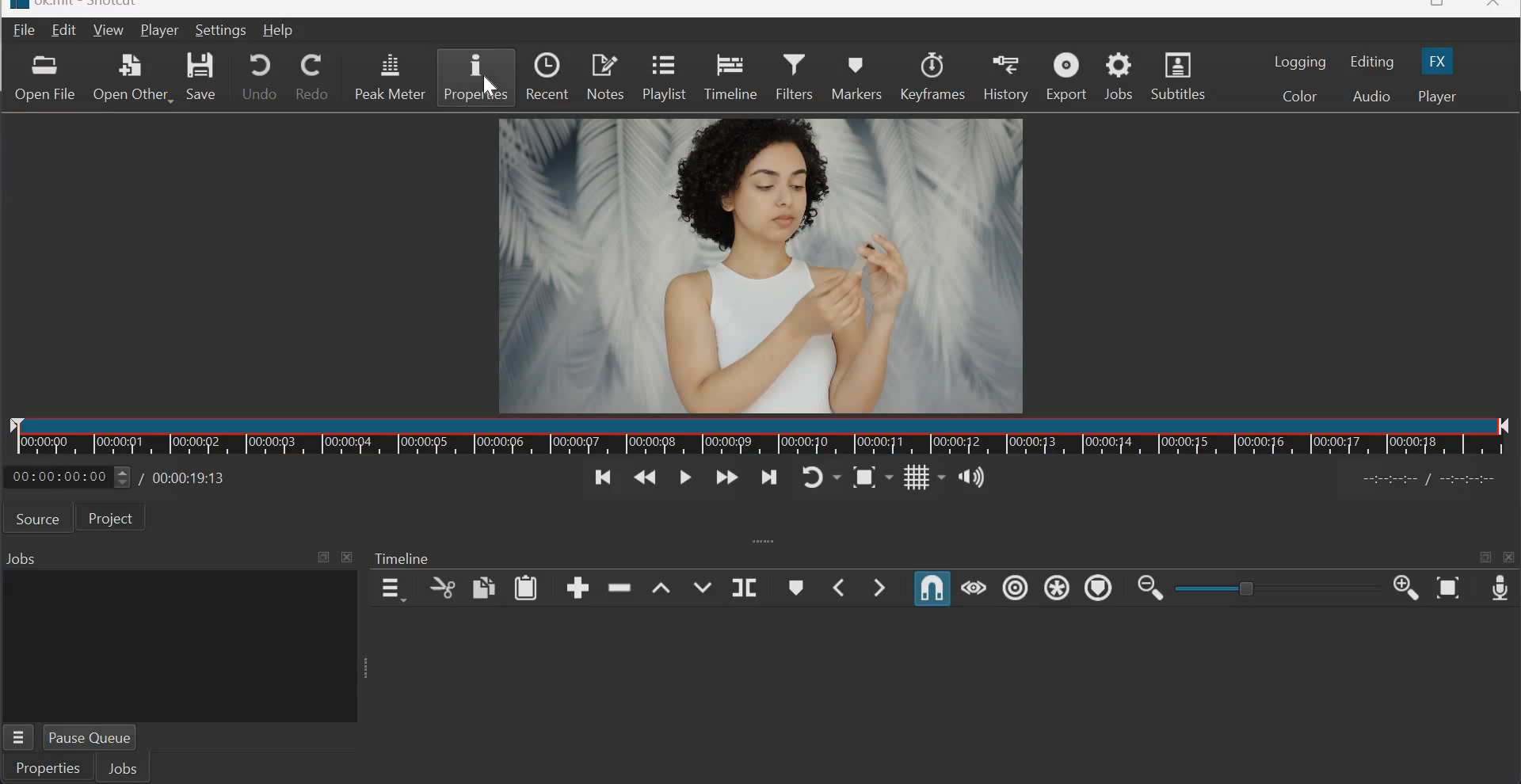 The height and width of the screenshot is (784, 1521). Describe the element at coordinates (1374, 62) in the screenshot. I see `Editing` at that location.